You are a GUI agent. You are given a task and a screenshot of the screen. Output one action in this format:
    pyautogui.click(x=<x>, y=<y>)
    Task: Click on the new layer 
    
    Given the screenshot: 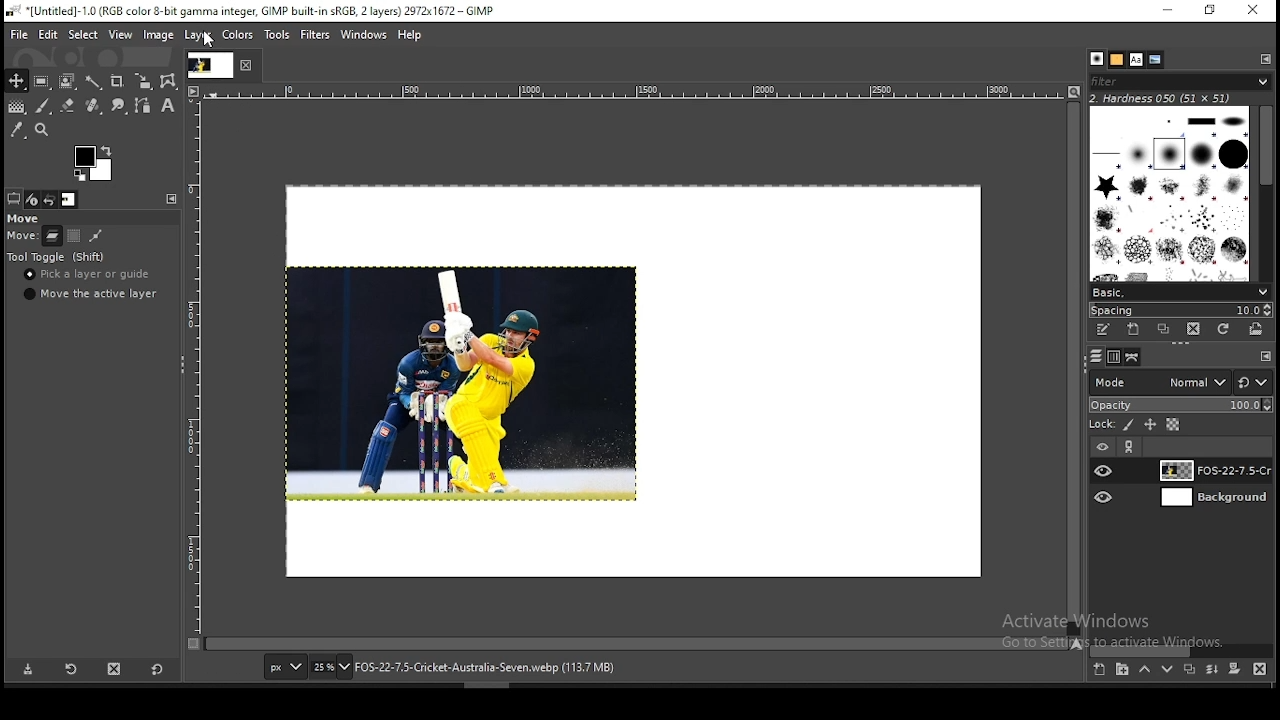 What is the action you would take?
    pyautogui.click(x=1098, y=671)
    